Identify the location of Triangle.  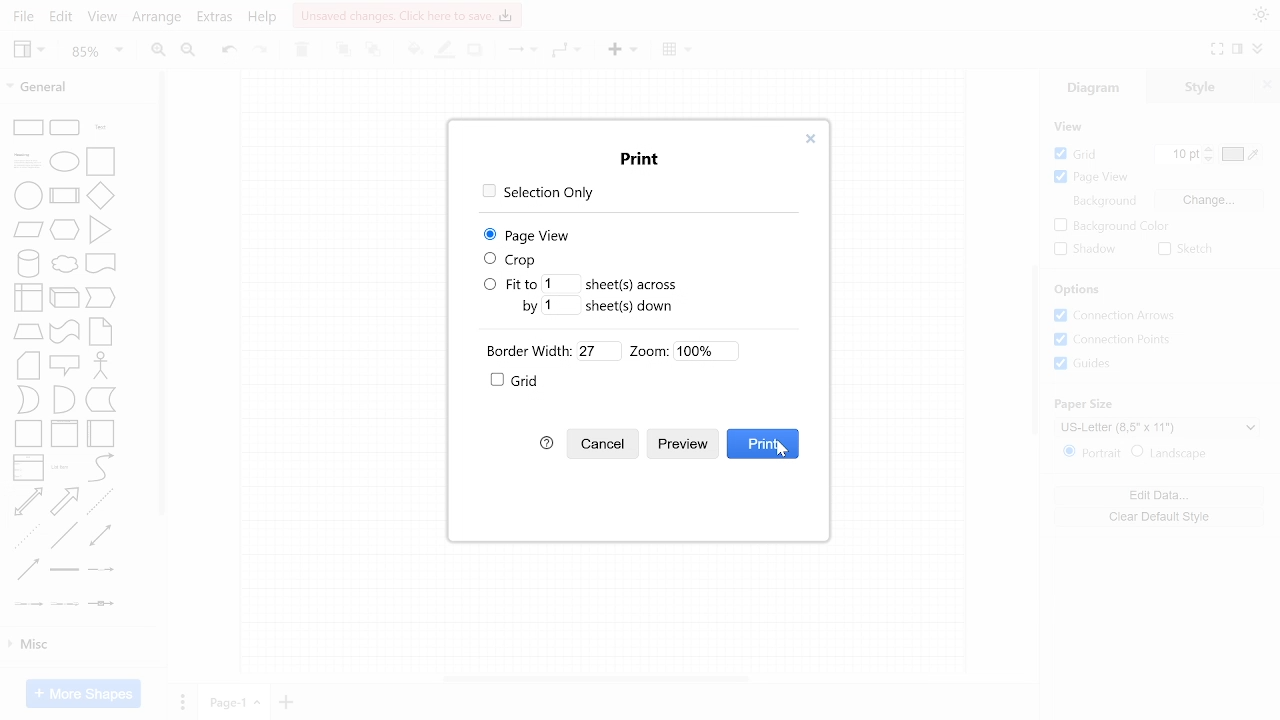
(100, 230).